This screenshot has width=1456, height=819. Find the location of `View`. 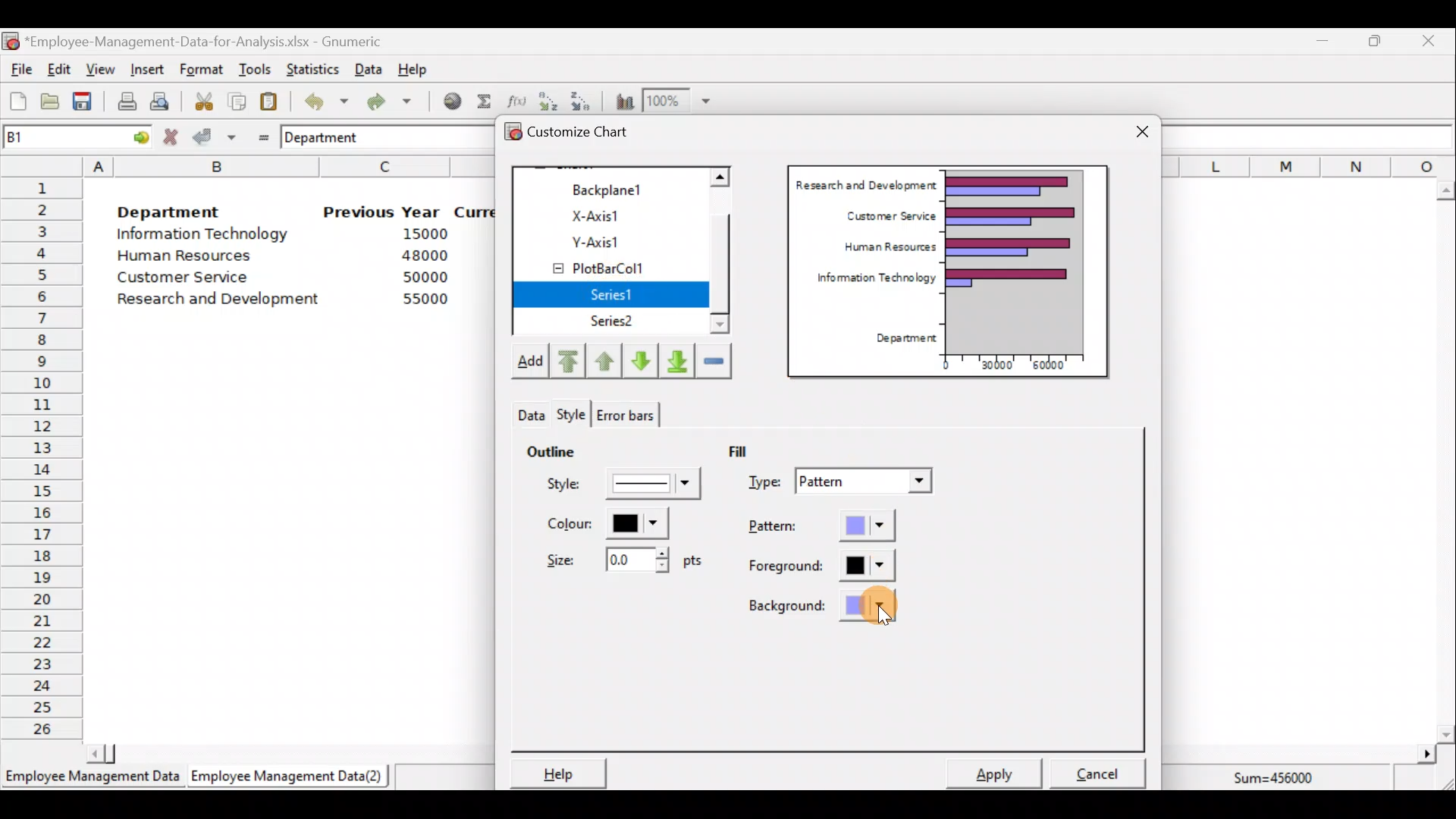

View is located at coordinates (99, 70).